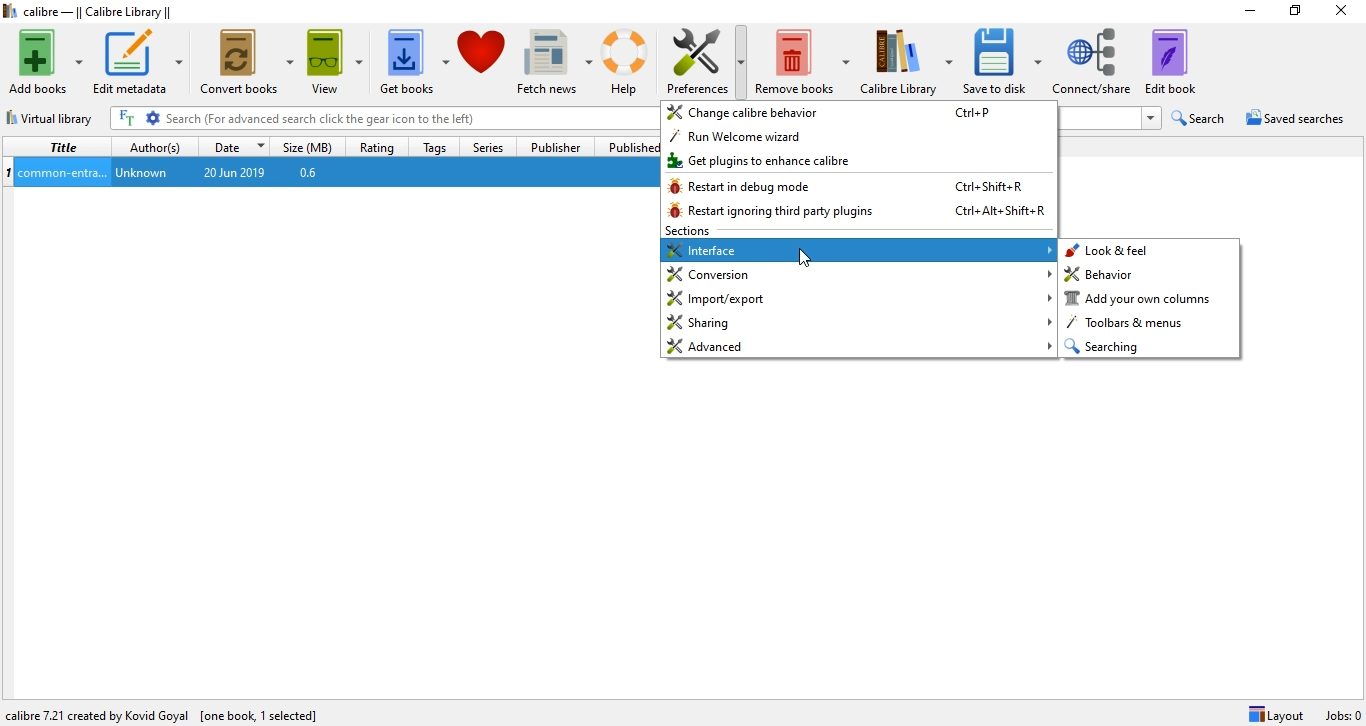 The height and width of the screenshot is (726, 1366). I want to click on , so click(907, 57).